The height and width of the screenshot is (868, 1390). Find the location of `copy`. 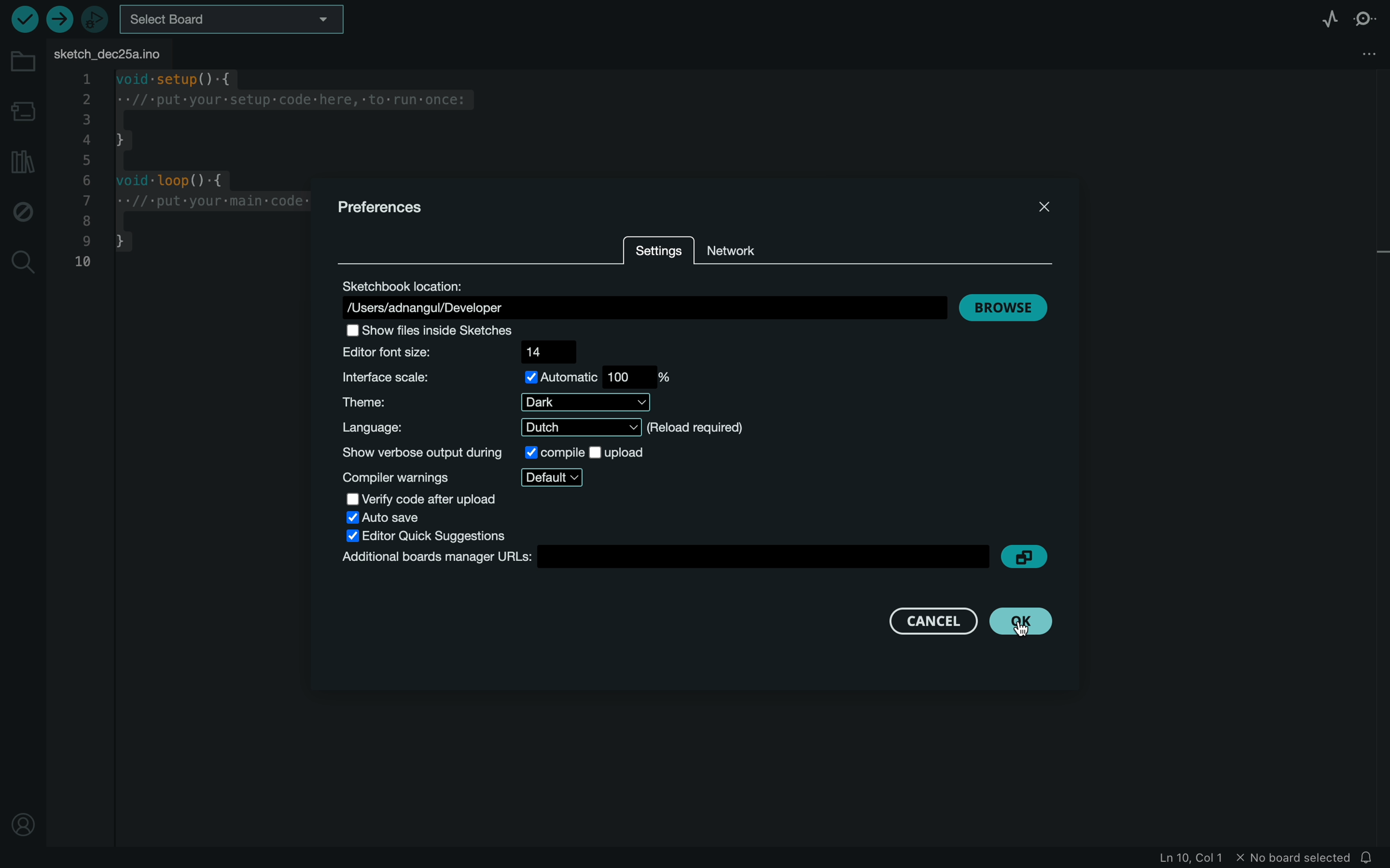

copy is located at coordinates (1028, 556).